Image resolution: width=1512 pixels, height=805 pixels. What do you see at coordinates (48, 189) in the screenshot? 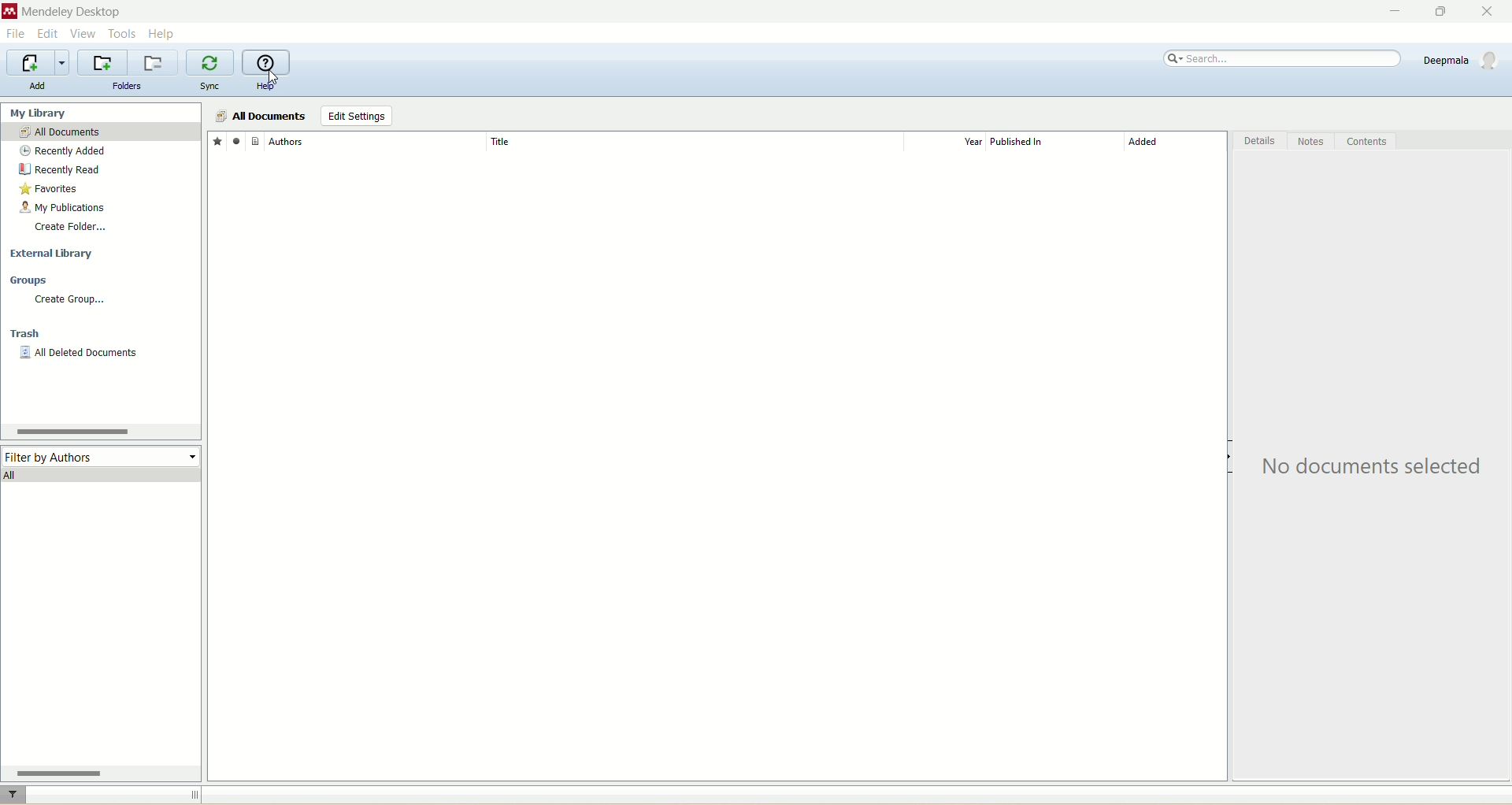
I see `favorites` at bounding box center [48, 189].